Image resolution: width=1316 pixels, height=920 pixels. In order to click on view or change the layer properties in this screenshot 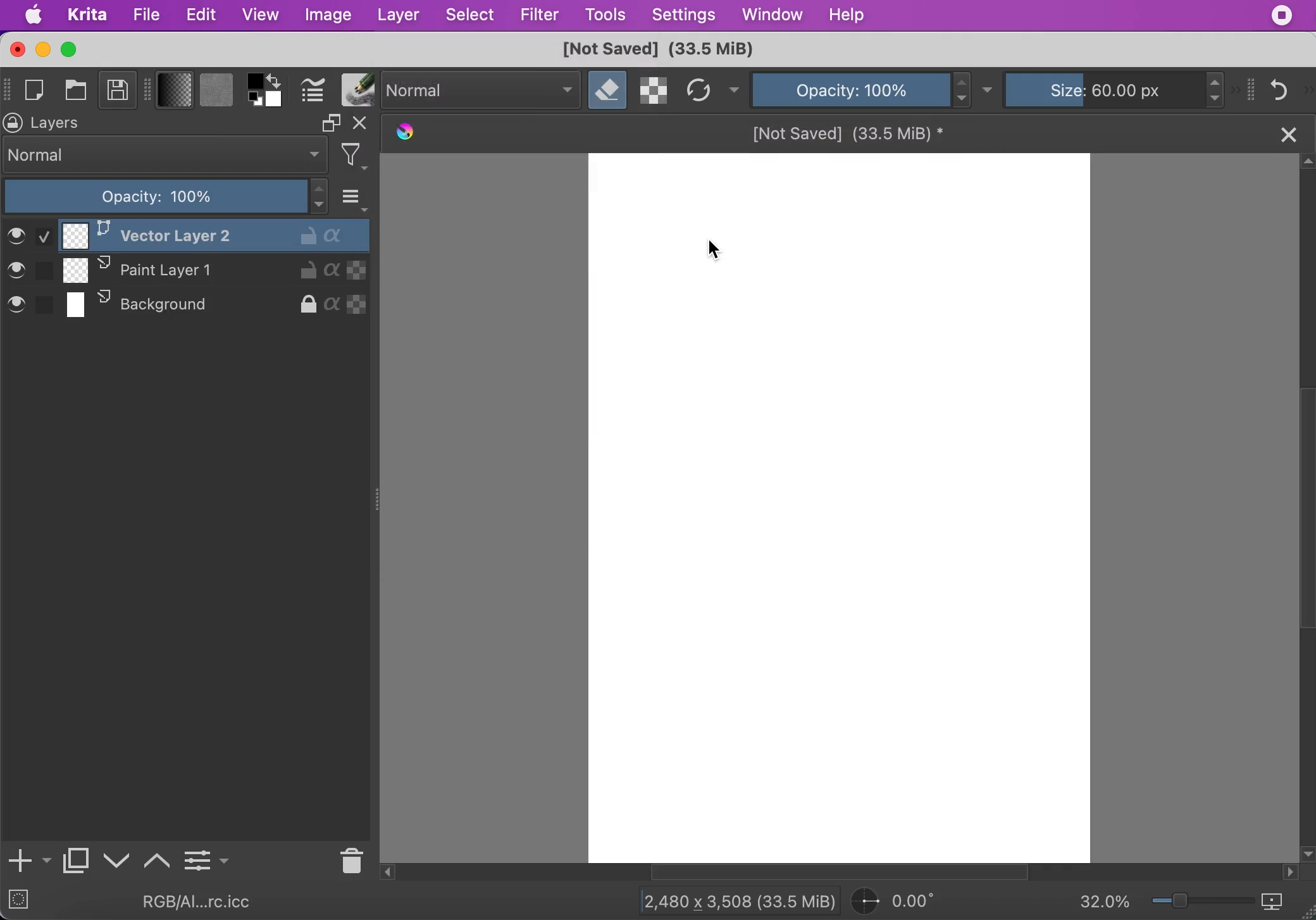, I will do `click(206, 858)`.